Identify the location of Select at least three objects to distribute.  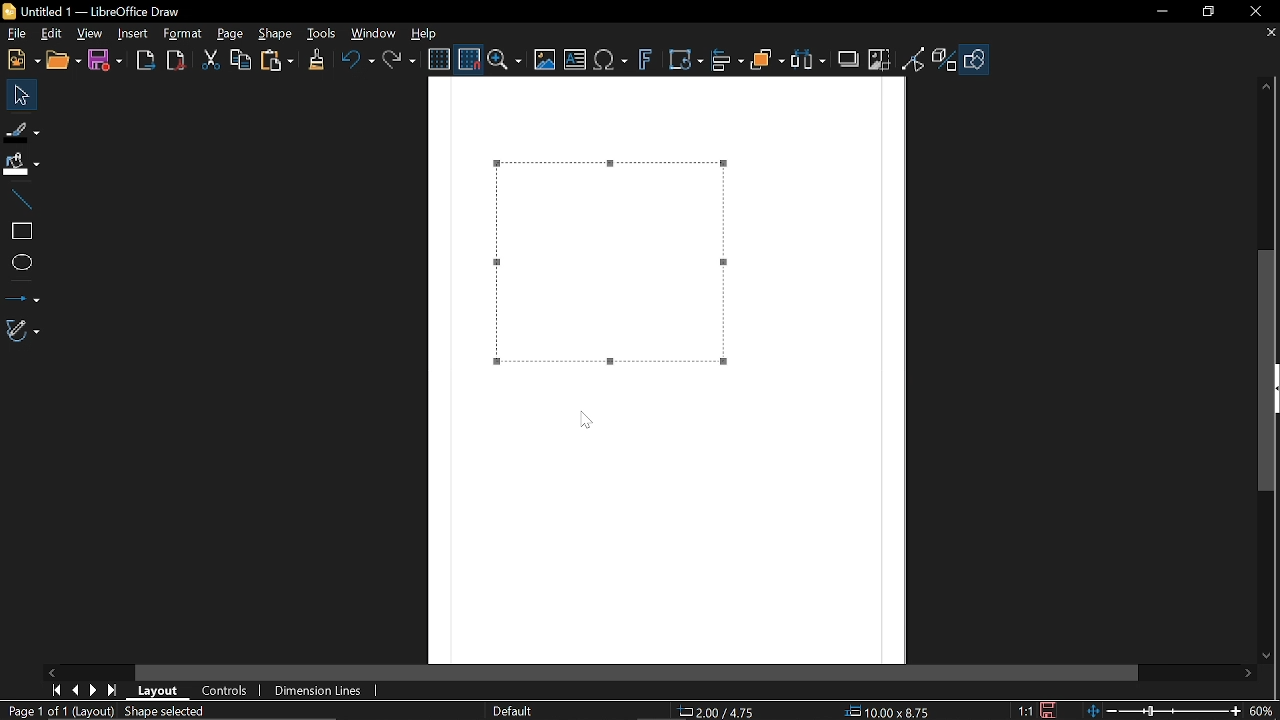
(809, 60).